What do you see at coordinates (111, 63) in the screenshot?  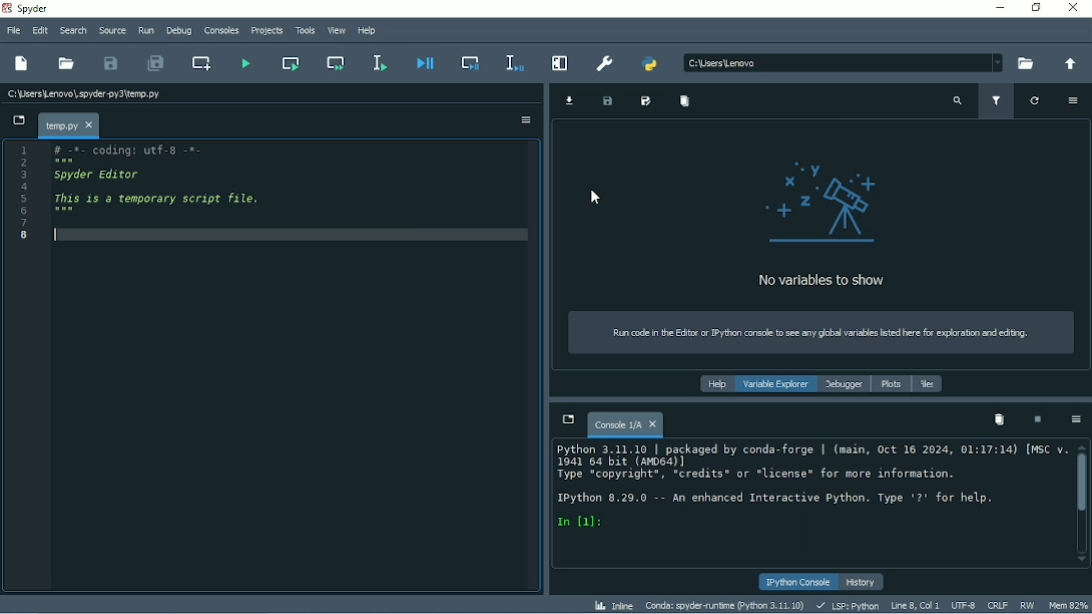 I see `Save file    ` at bounding box center [111, 63].